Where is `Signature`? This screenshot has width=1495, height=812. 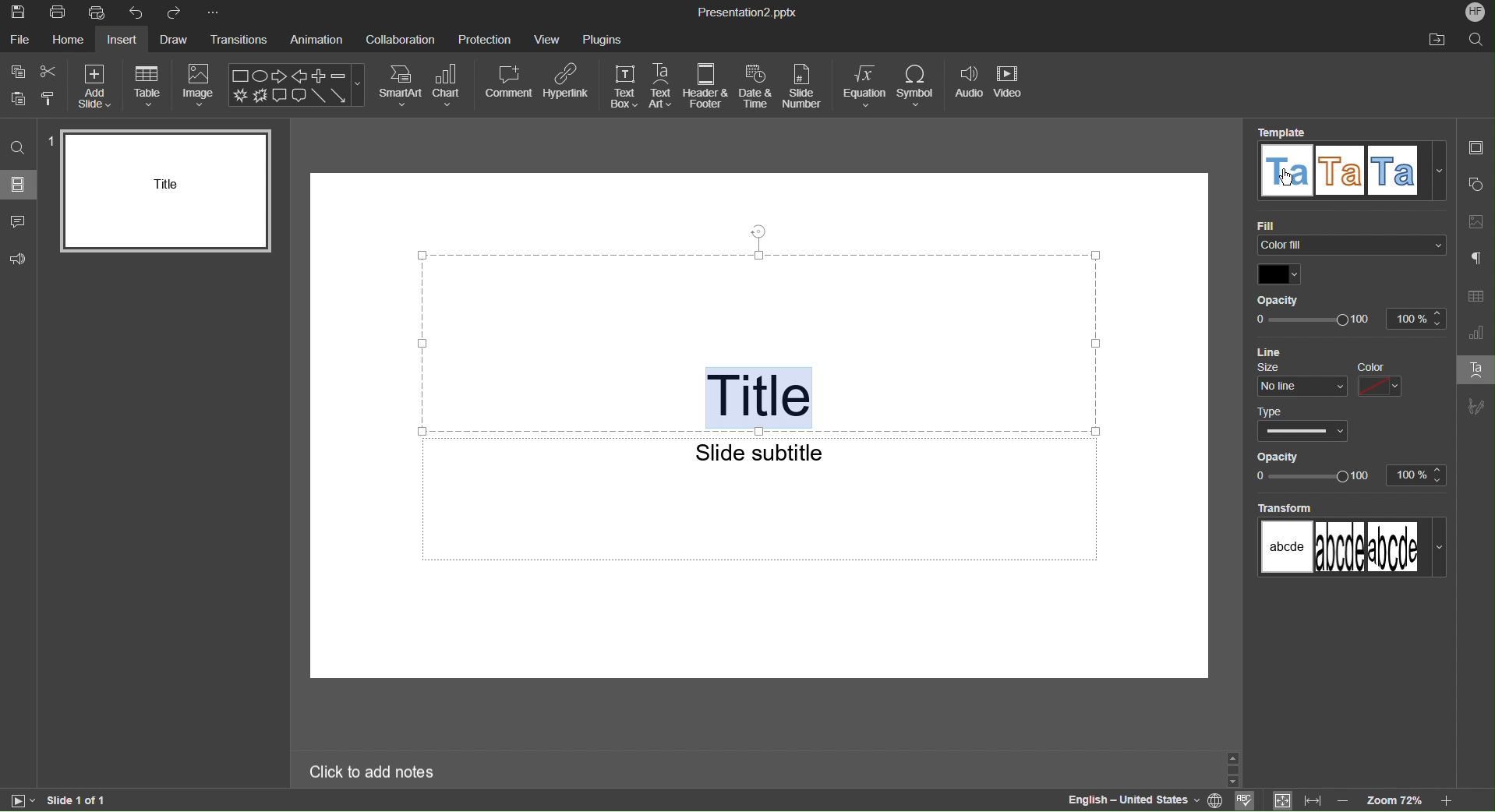 Signature is located at coordinates (1476, 404).